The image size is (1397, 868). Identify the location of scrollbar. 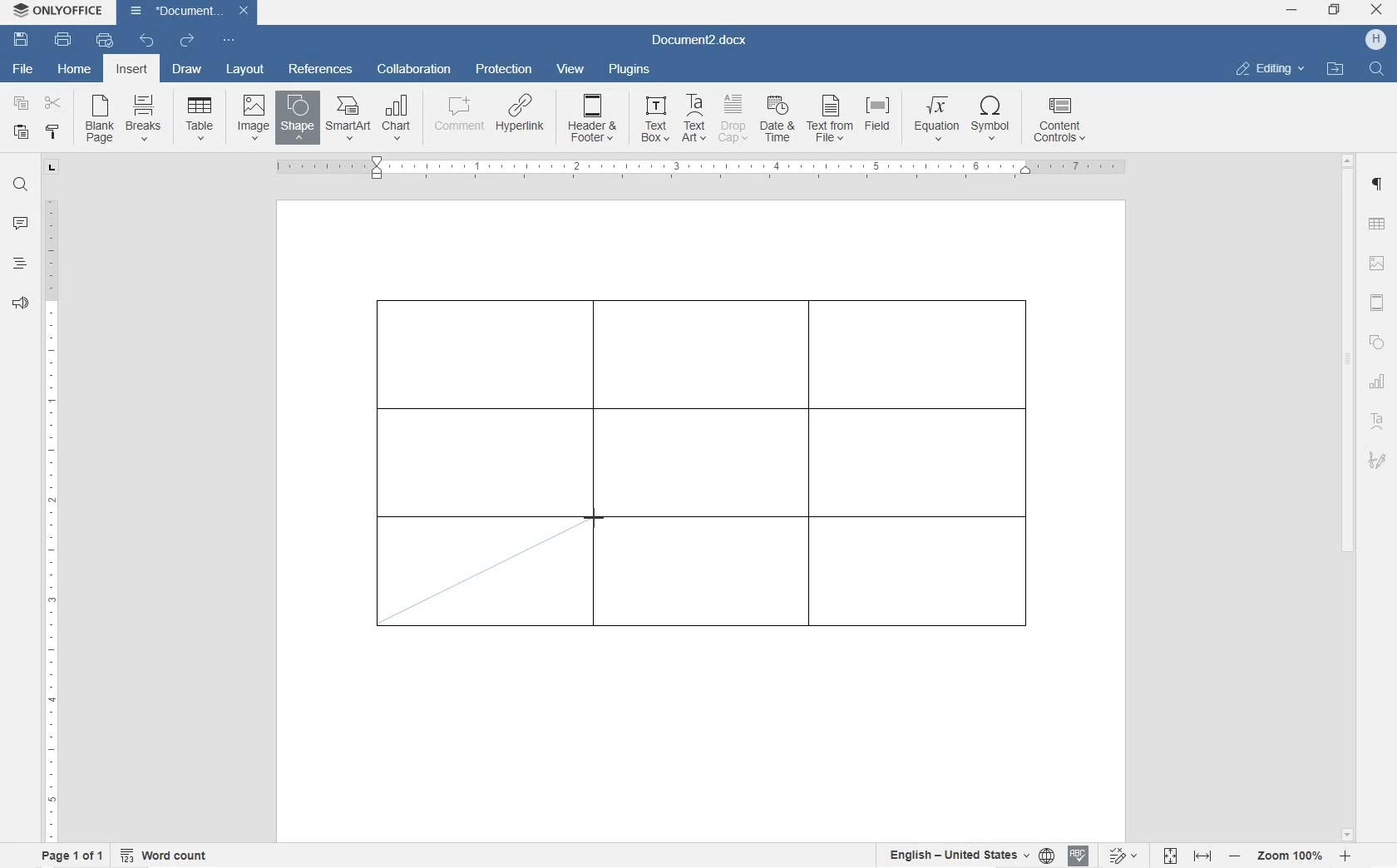
(1348, 496).